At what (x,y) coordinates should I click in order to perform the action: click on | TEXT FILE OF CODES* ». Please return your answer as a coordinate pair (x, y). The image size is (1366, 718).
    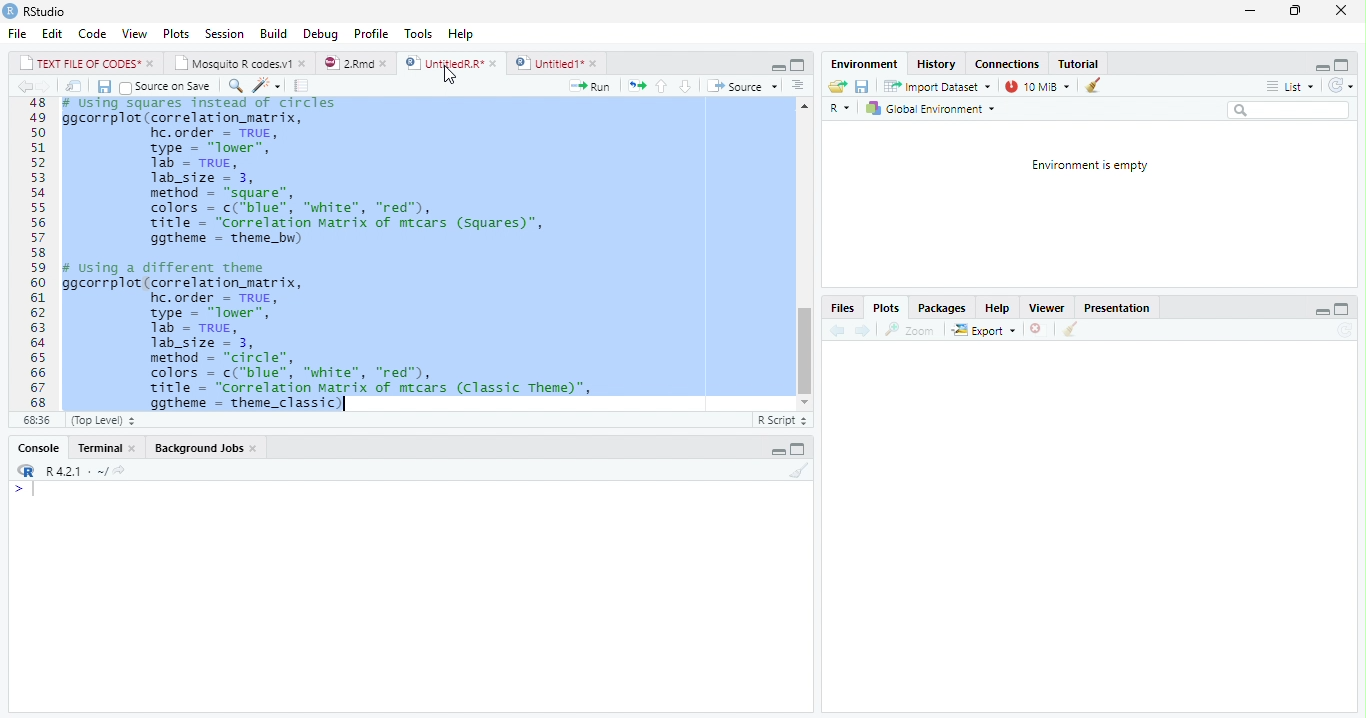
    Looking at the image, I should click on (88, 63).